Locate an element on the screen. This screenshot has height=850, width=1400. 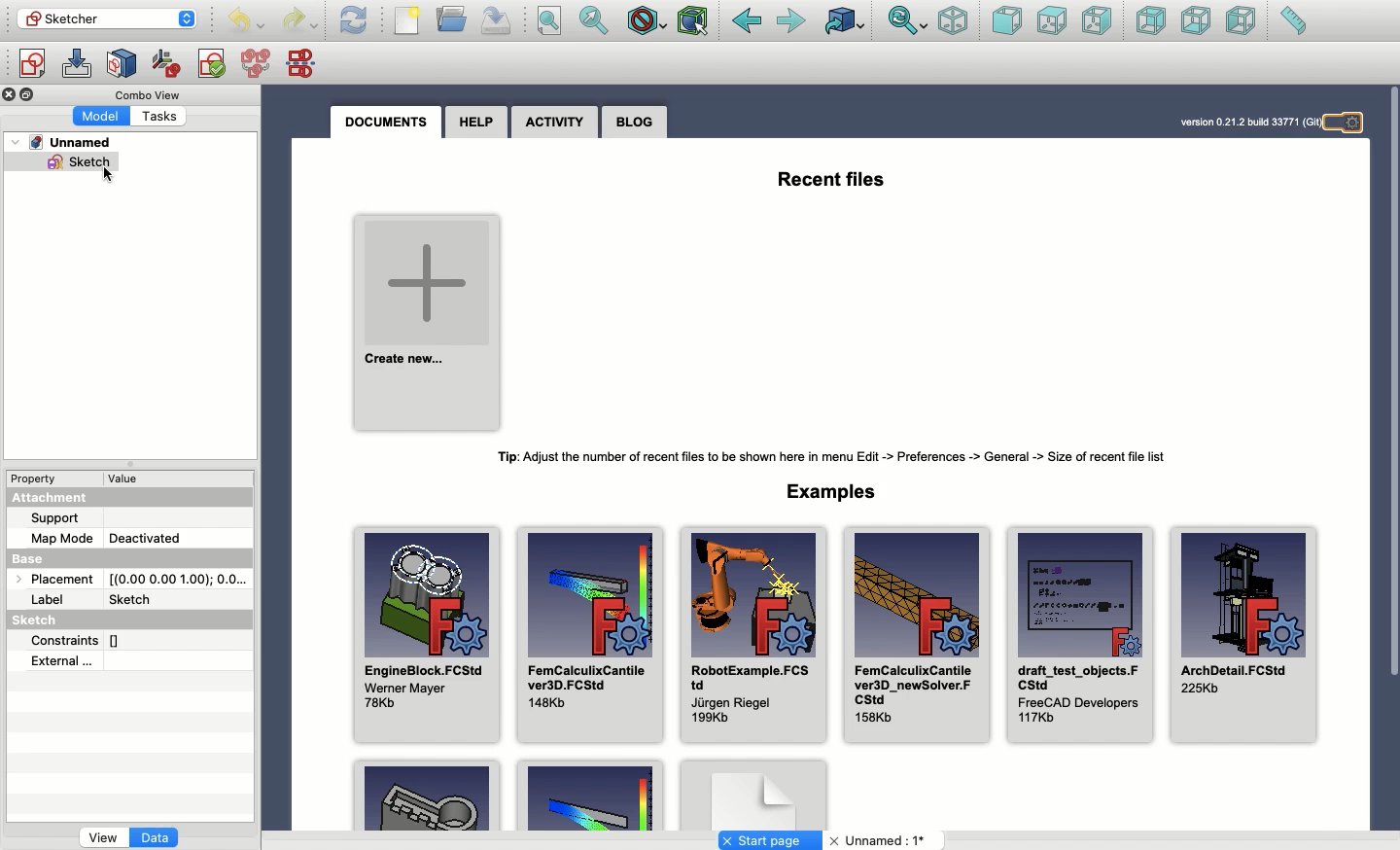
Tip: Adjust the number of recent files to be shown here in menu Edit -> Preferences -> General -> Size of recent file list is located at coordinates (841, 457).